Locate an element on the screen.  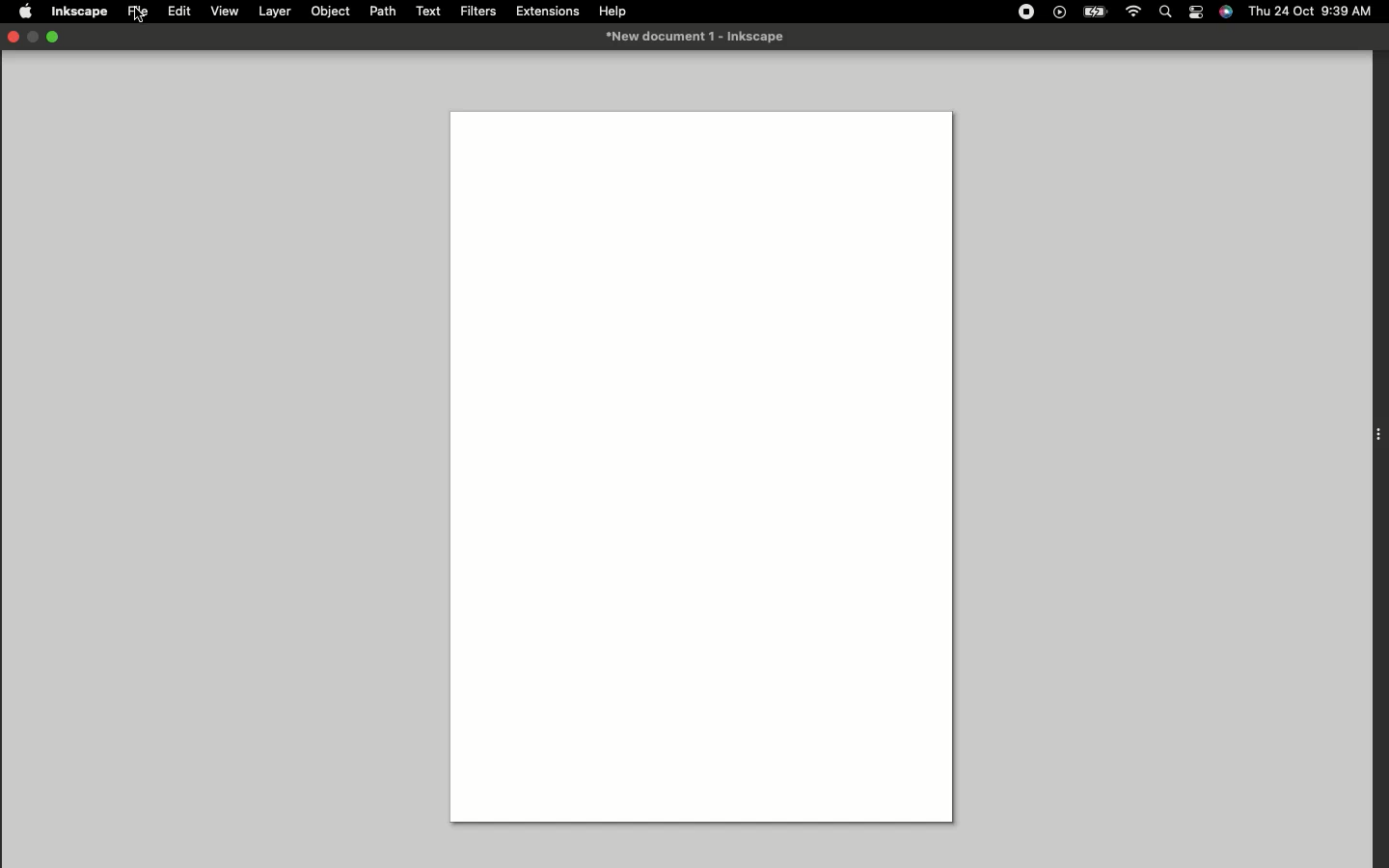
cursor is located at coordinates (140, 20).